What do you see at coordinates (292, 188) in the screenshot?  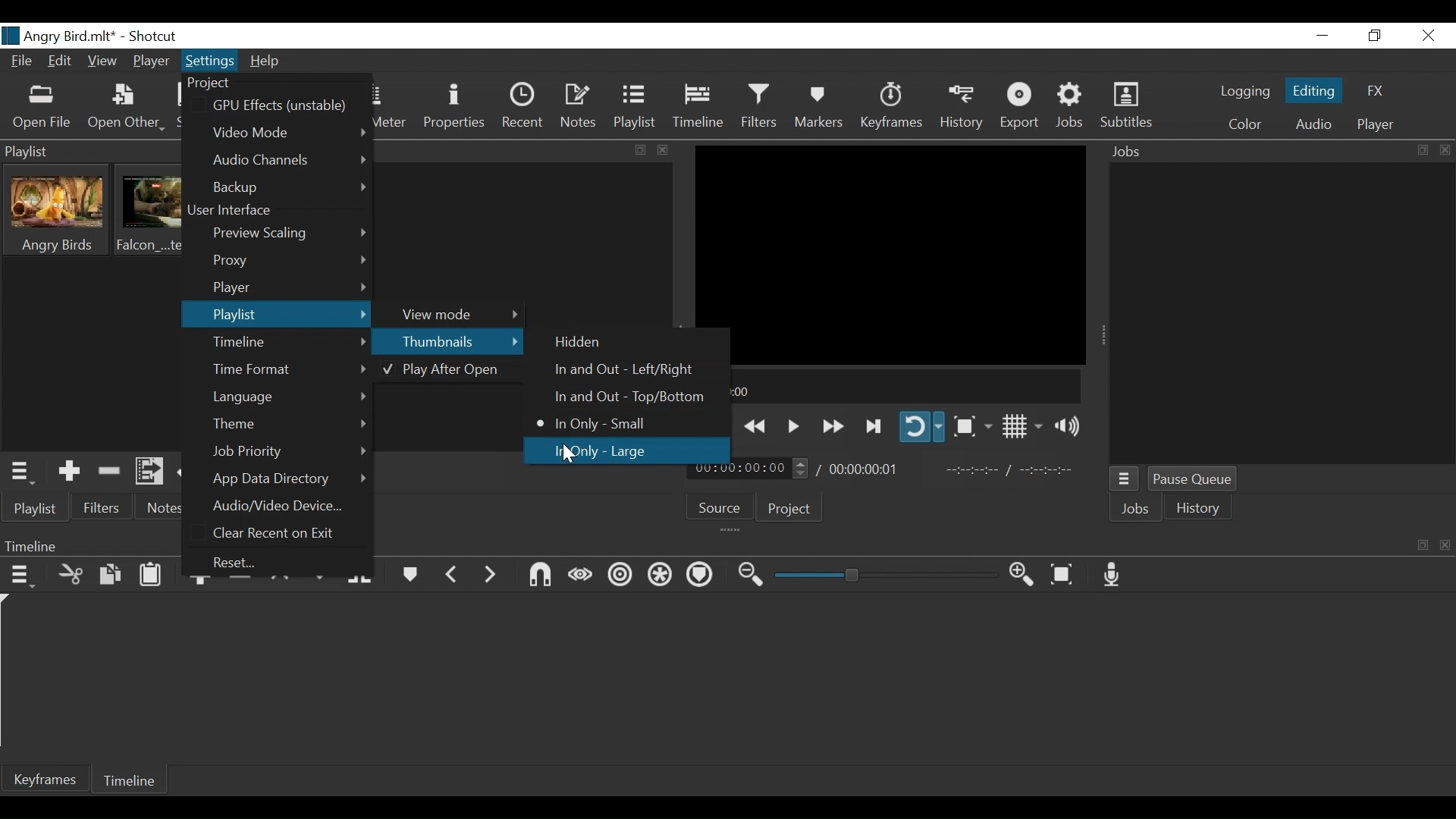 I see `Backup` at bounding box center [292, 188].